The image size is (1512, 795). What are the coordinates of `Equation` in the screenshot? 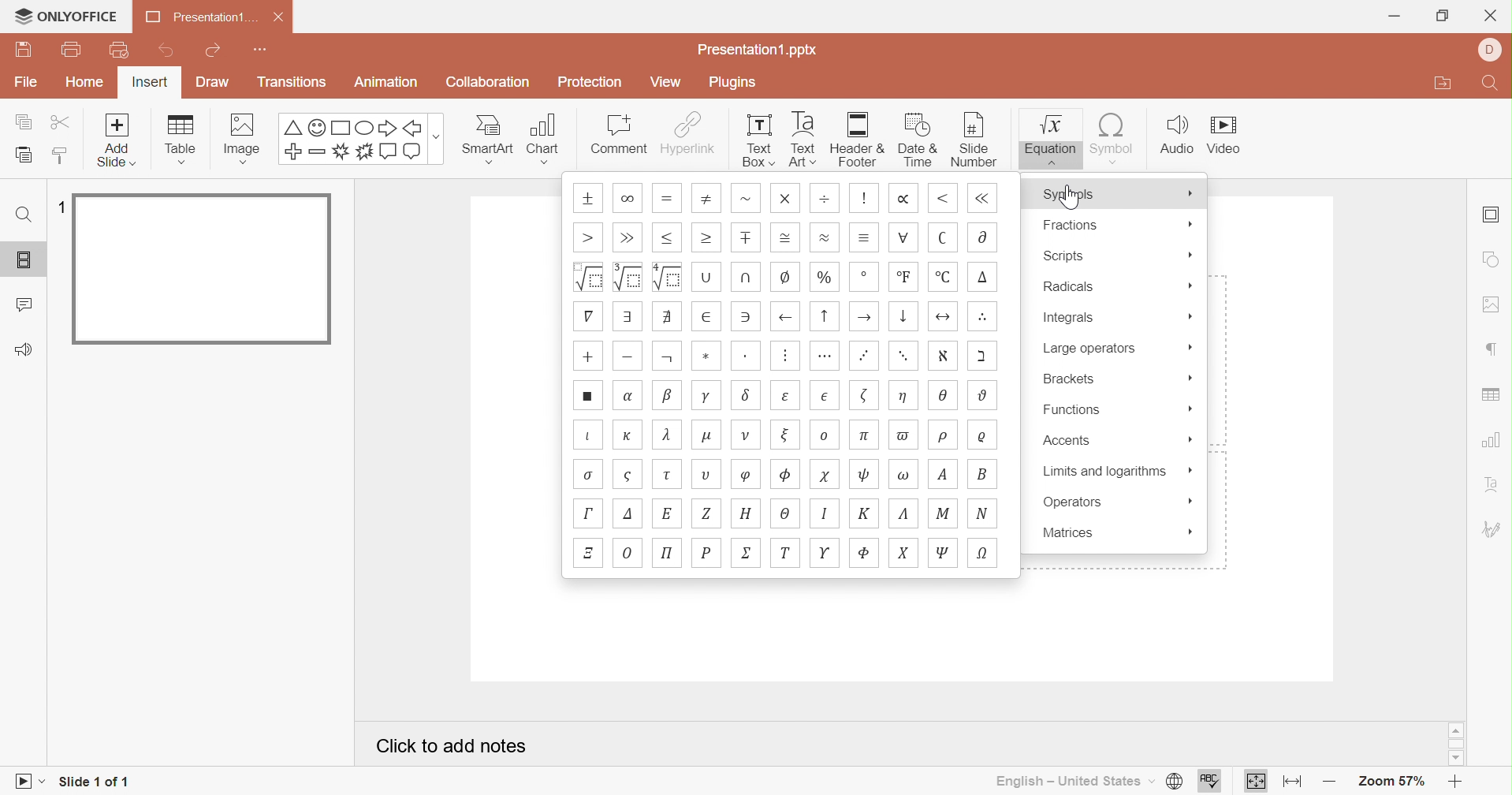 It's located at (1052, 141).